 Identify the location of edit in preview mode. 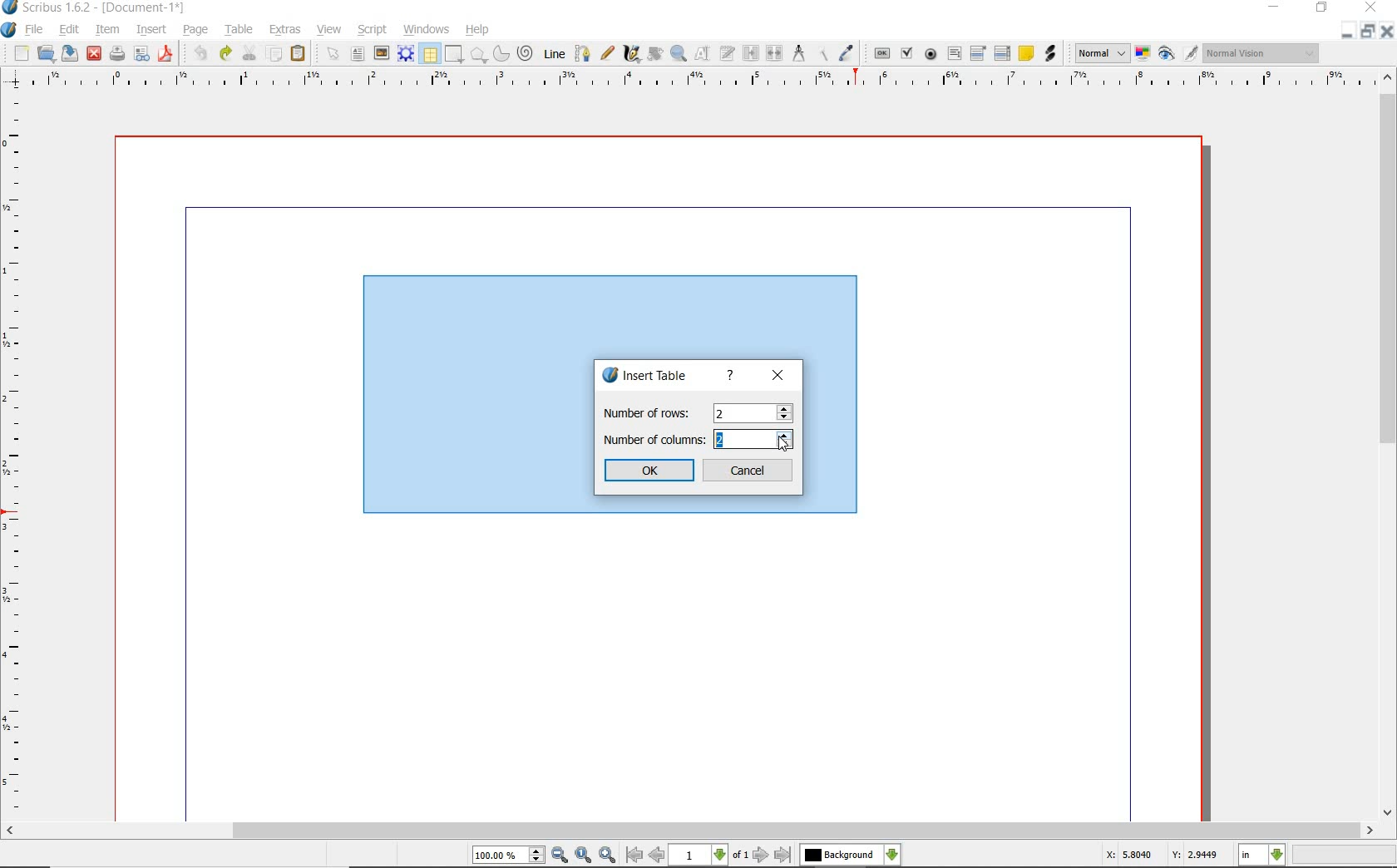
(1190, 54).